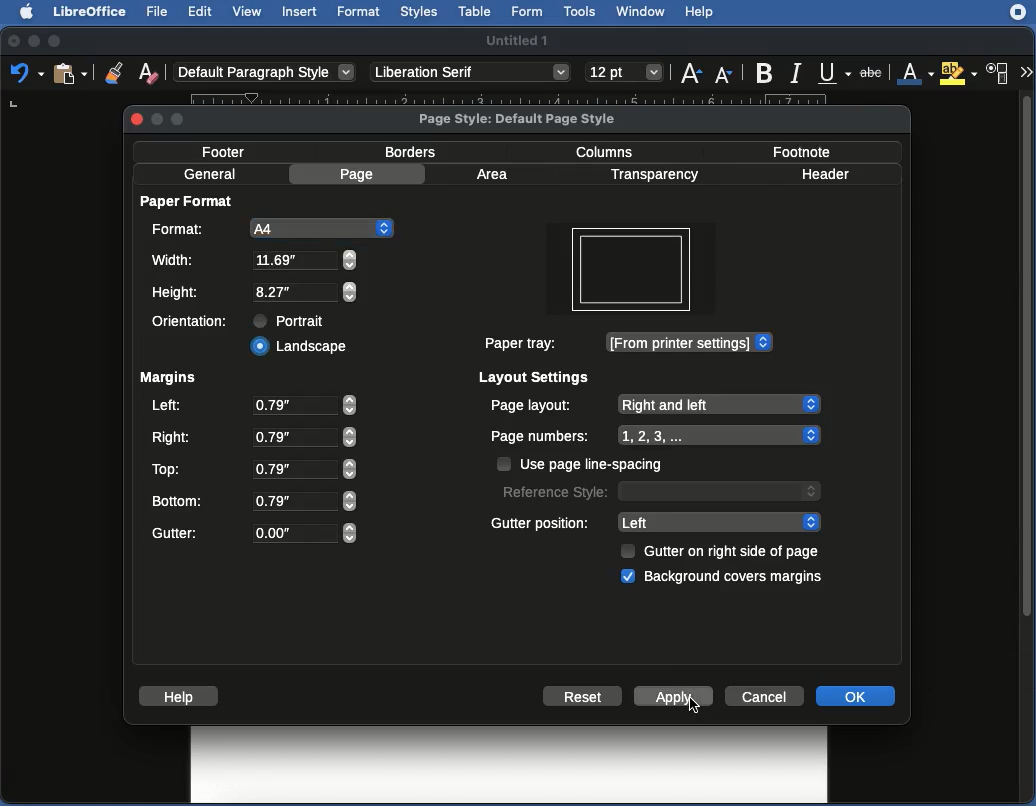  I want to click on Help, so click(181, 697).